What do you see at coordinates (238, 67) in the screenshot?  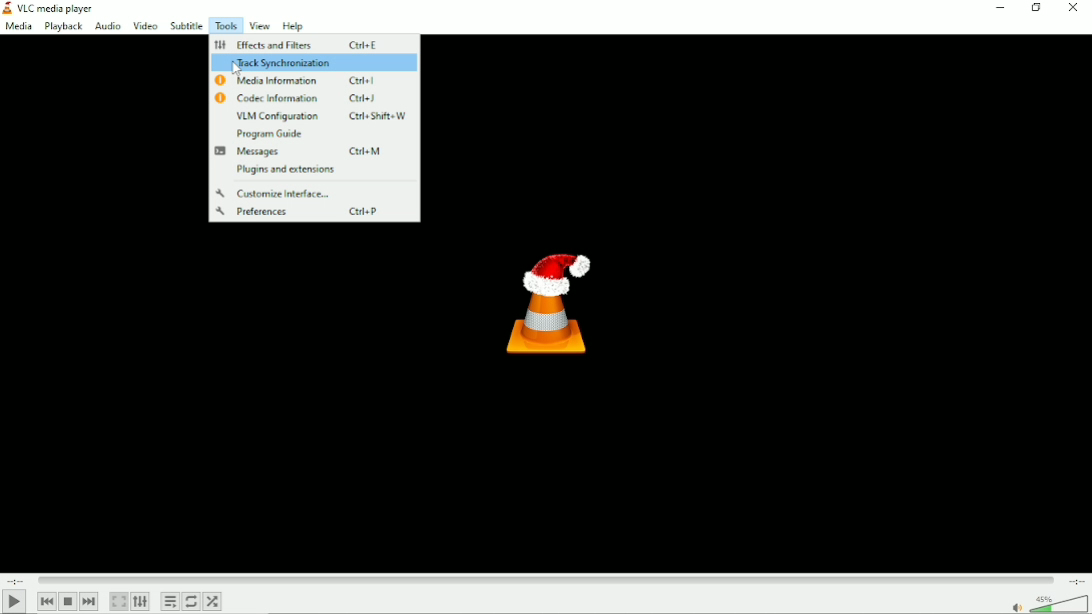 I see `Cursor` at bounding box center [238, 67].